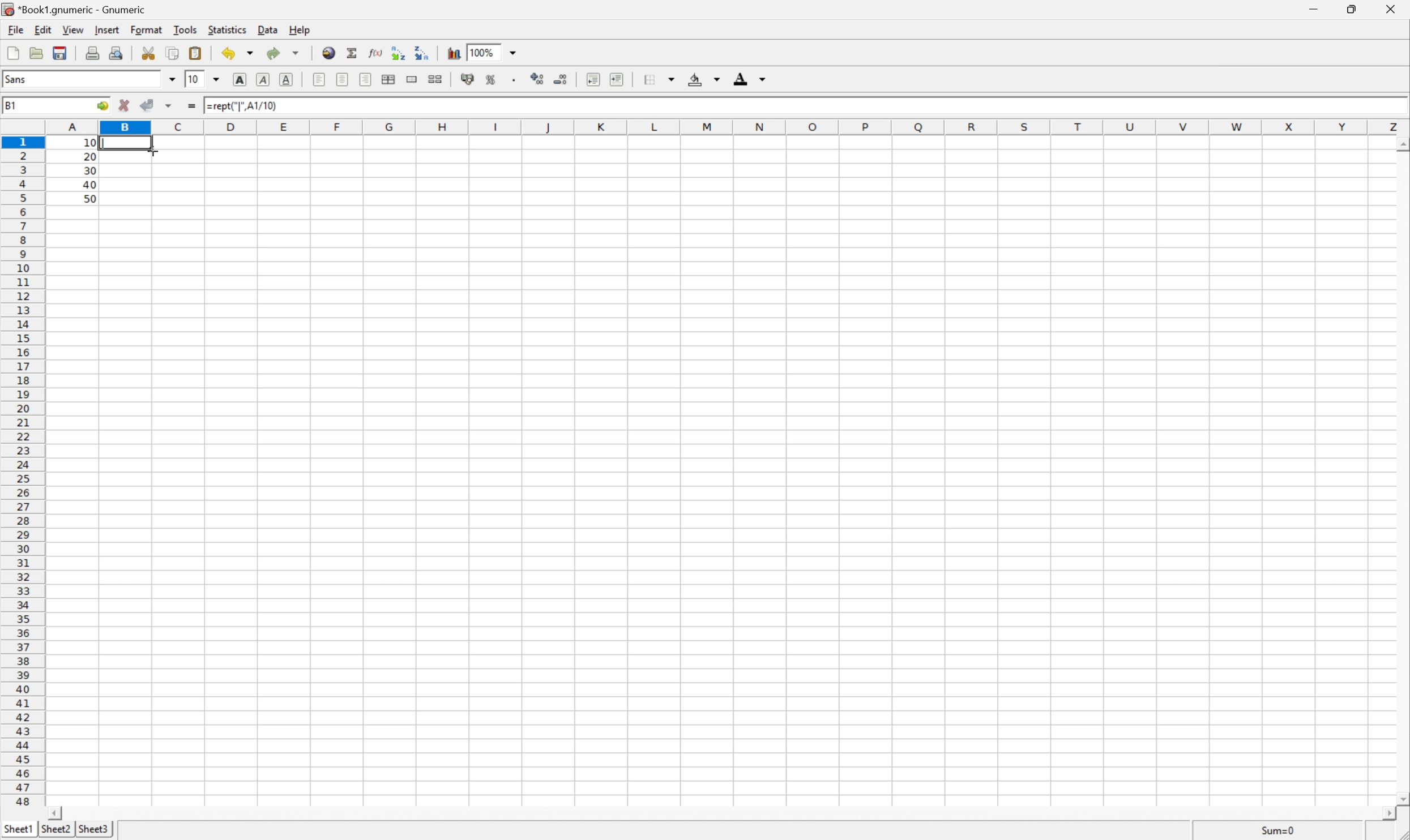  Describe the element at coordinates (750, 78) in the screenshot. I see `Foreground` at that location.